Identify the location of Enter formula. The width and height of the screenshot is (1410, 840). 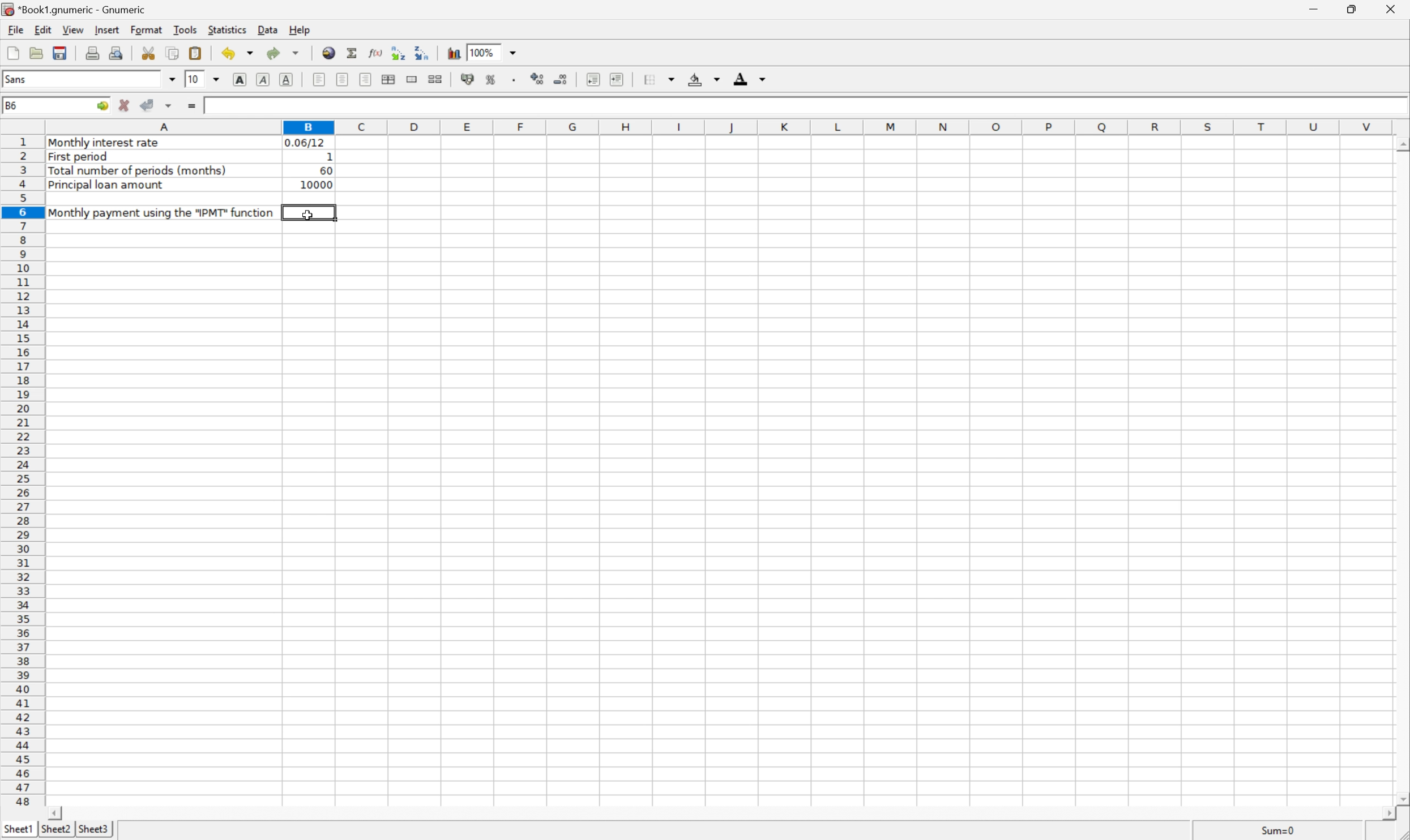
(190, 105).